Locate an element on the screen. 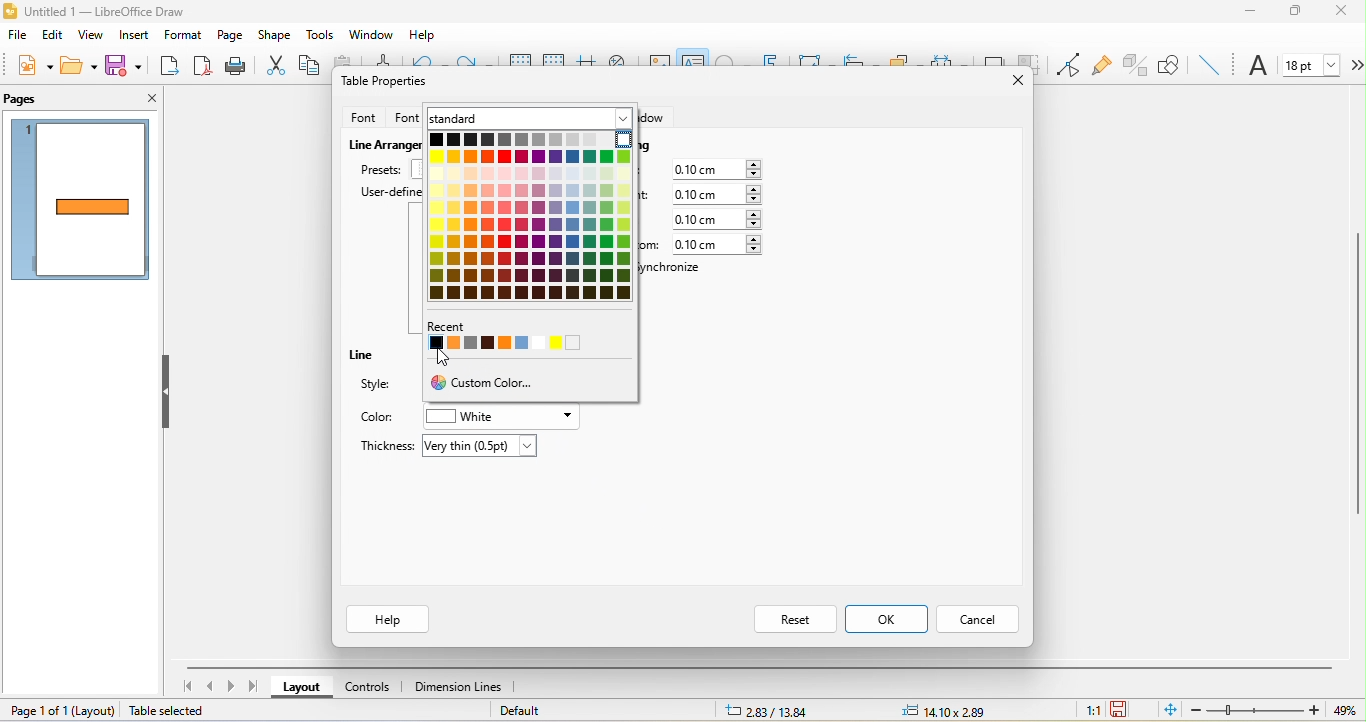 Image resolution: width=1366 pixels, height=722 pixels. font is located at coordinates (1258, 67).